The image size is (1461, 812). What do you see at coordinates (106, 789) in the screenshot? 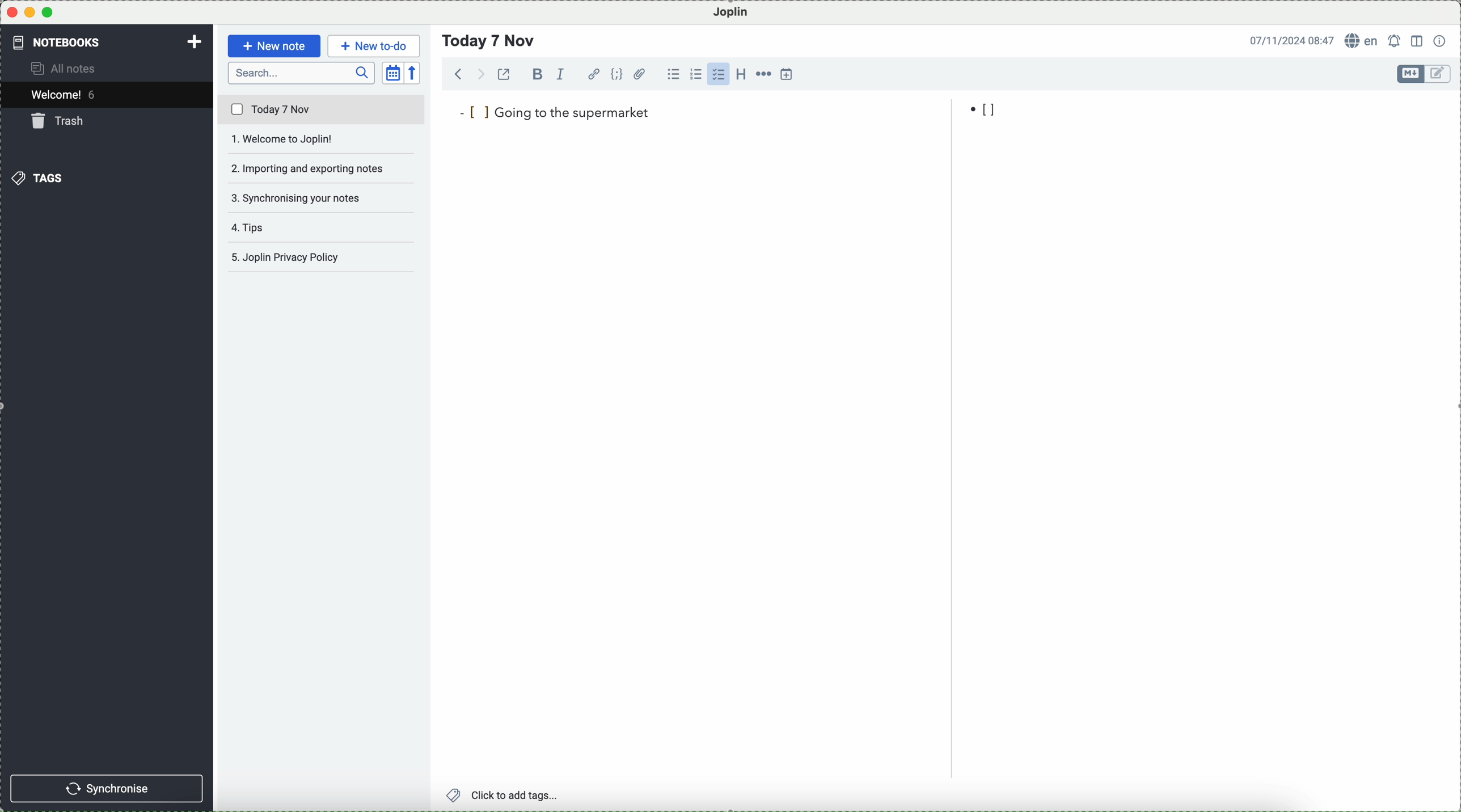
I see `synchronise button` at bounding box center [106, 789].